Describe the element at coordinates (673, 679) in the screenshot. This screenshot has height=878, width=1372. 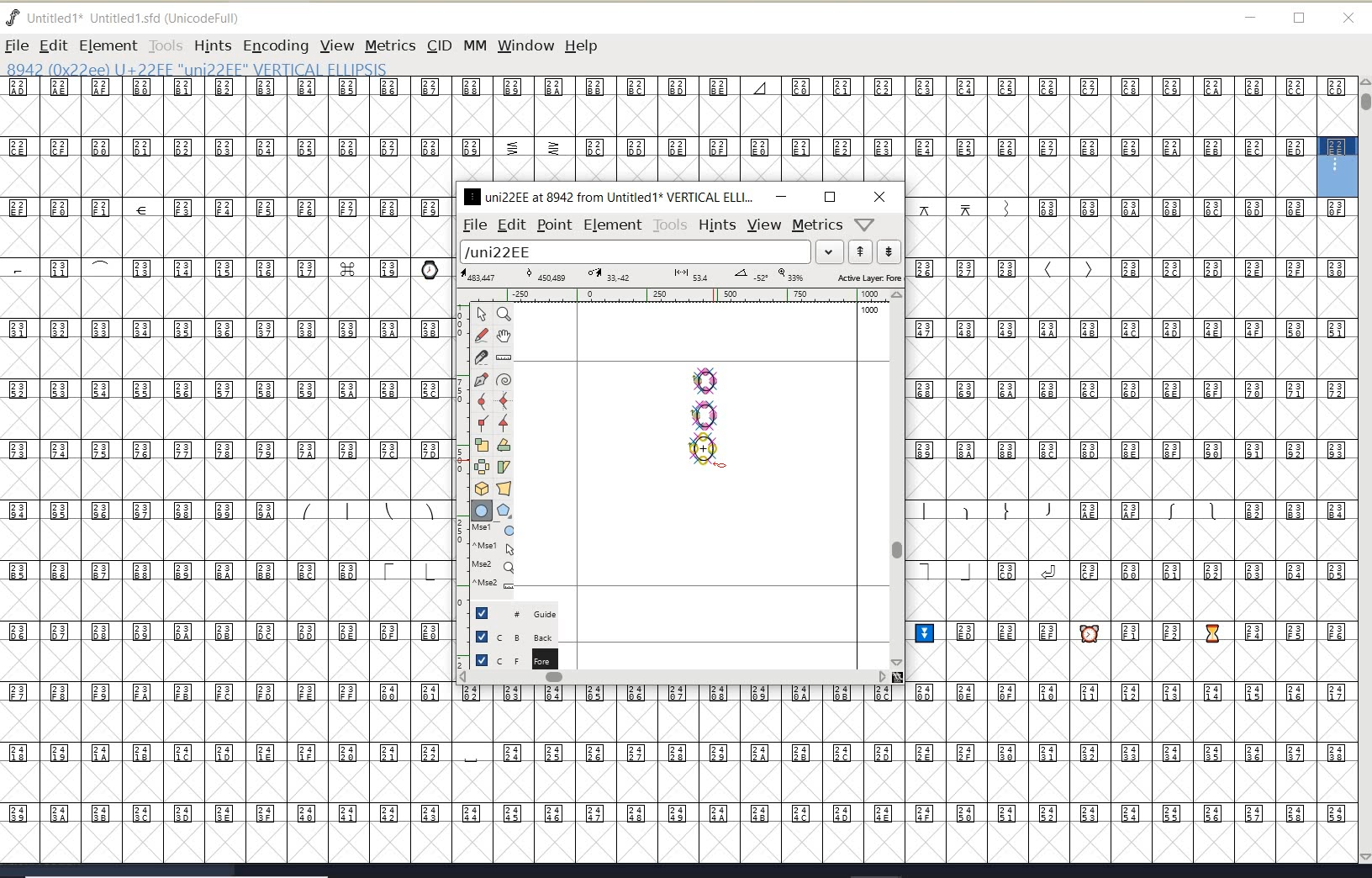
I see `scrollbar` at that location.